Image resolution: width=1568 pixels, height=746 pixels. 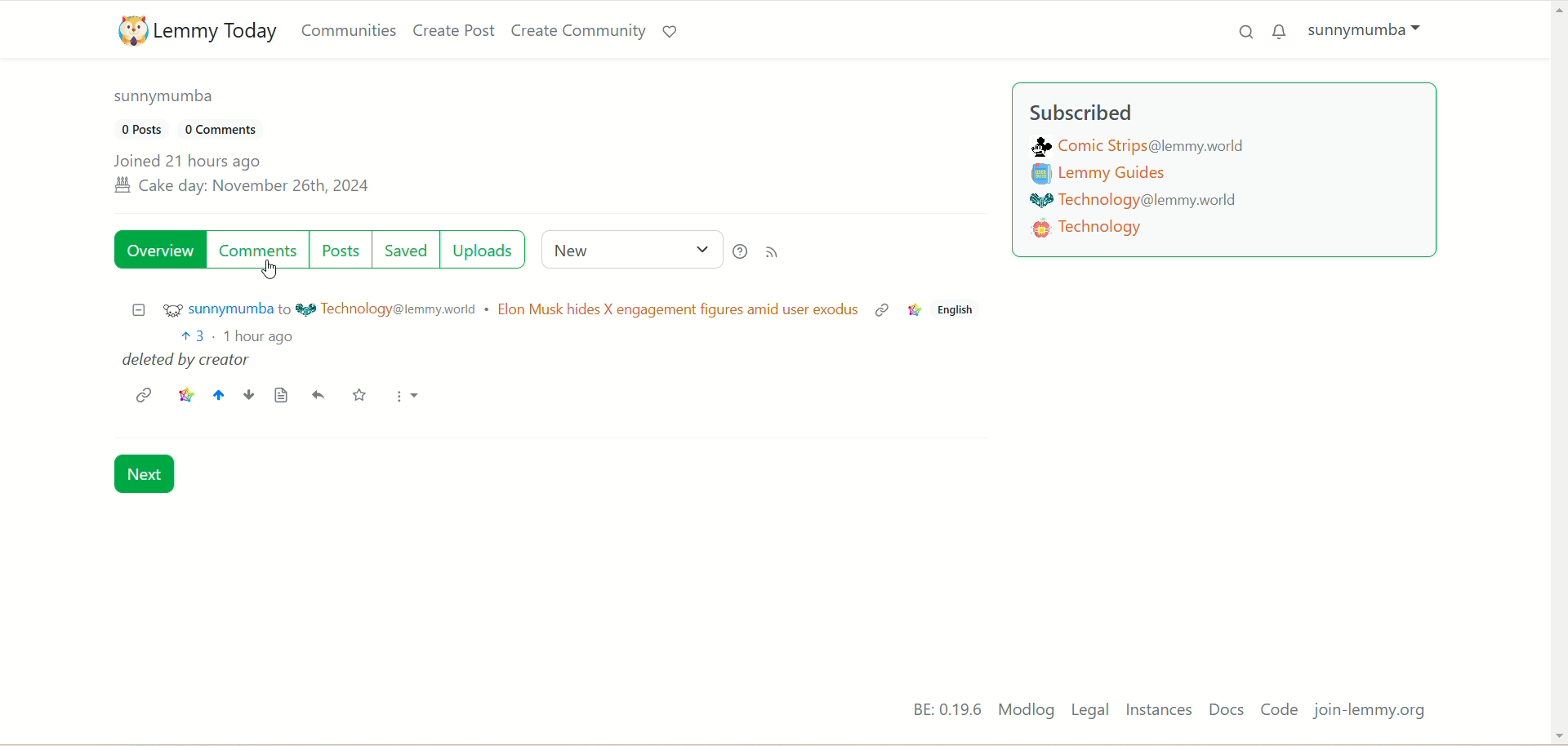 I want to click on list of communities, so click(x=1148, y=197).